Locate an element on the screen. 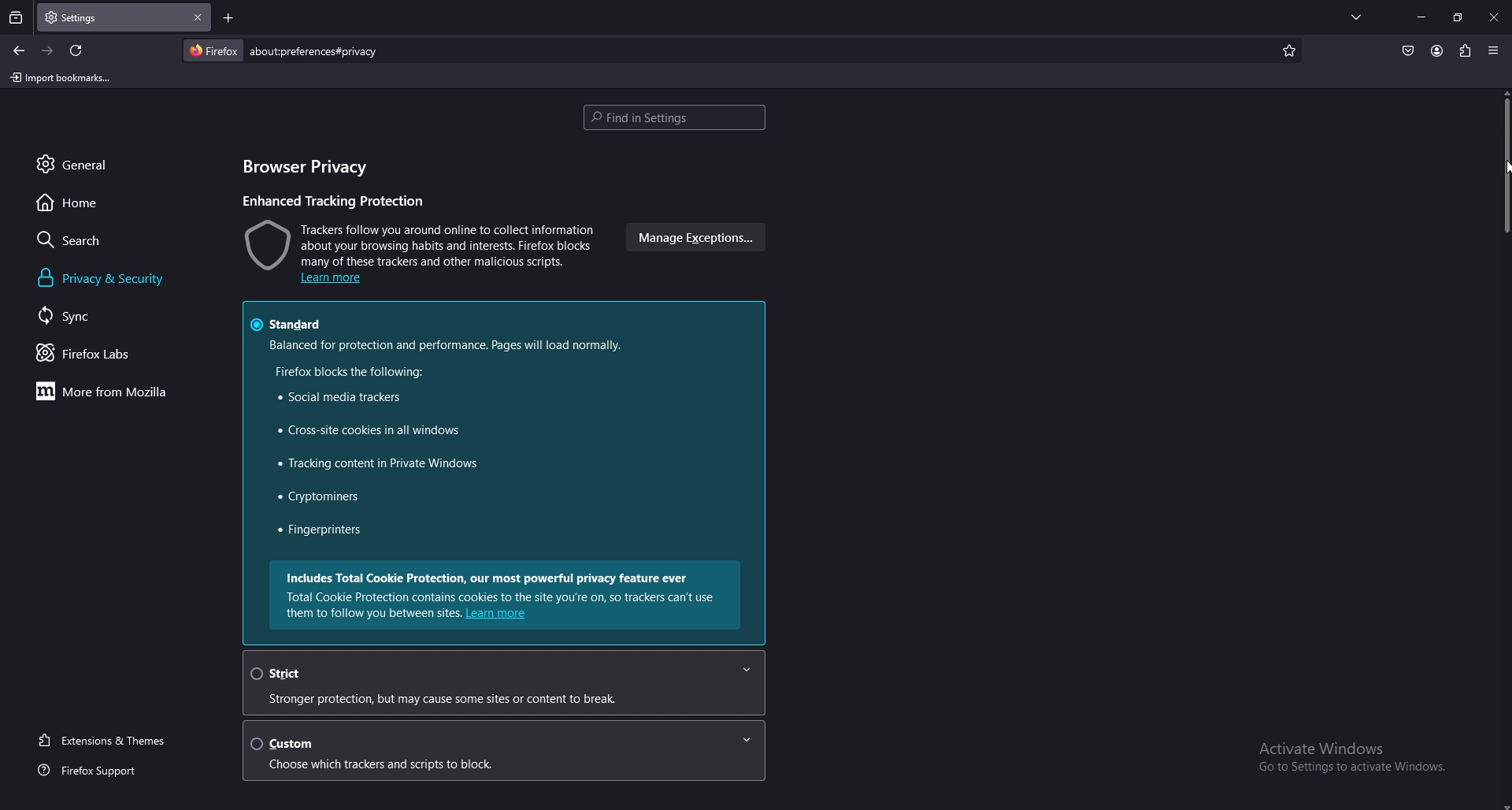 The width and height of the screenshot is (1512, 810). scroll up is located at coordinates (1503, 90).